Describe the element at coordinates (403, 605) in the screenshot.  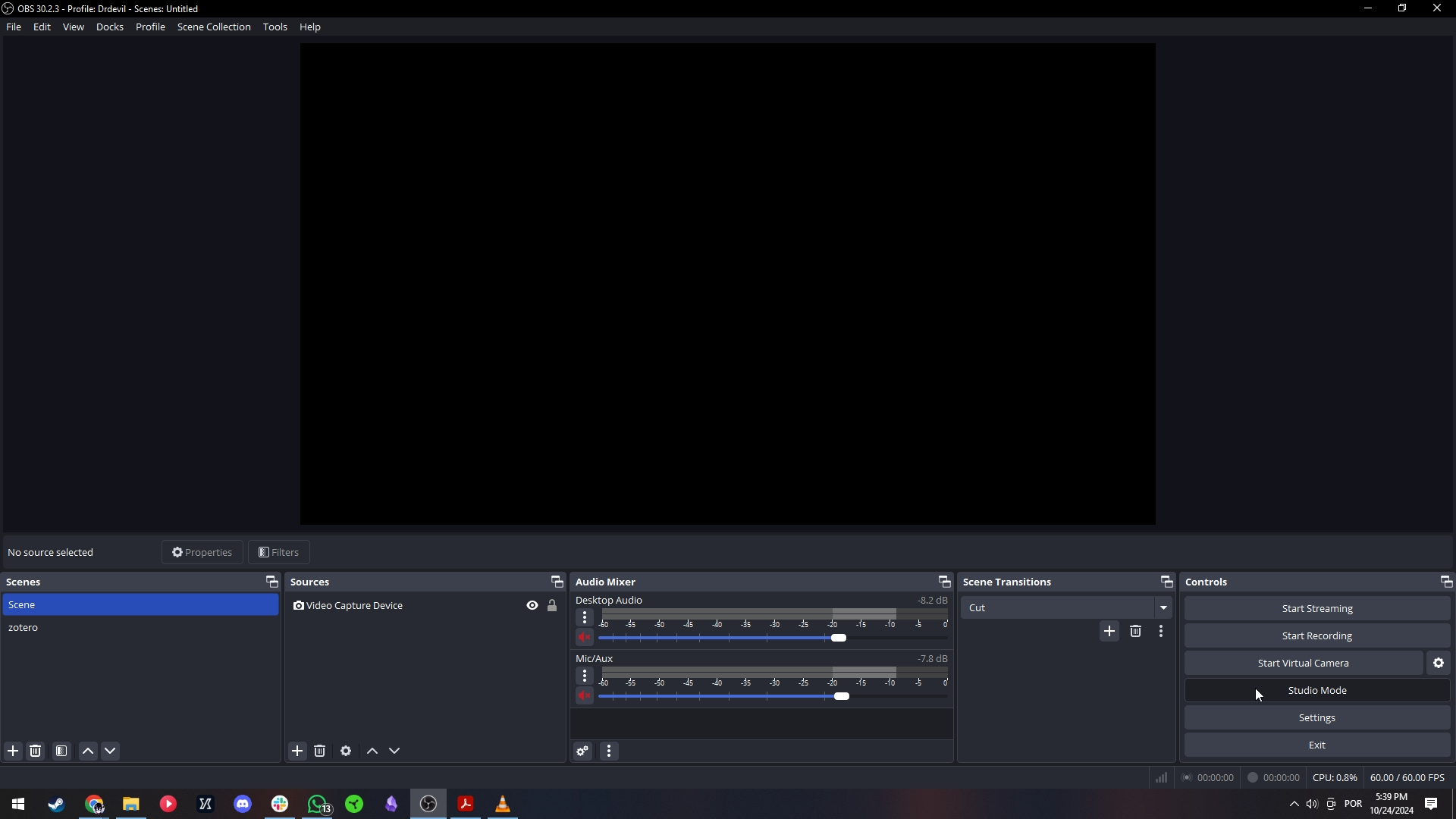
I see `Source one` at that location.